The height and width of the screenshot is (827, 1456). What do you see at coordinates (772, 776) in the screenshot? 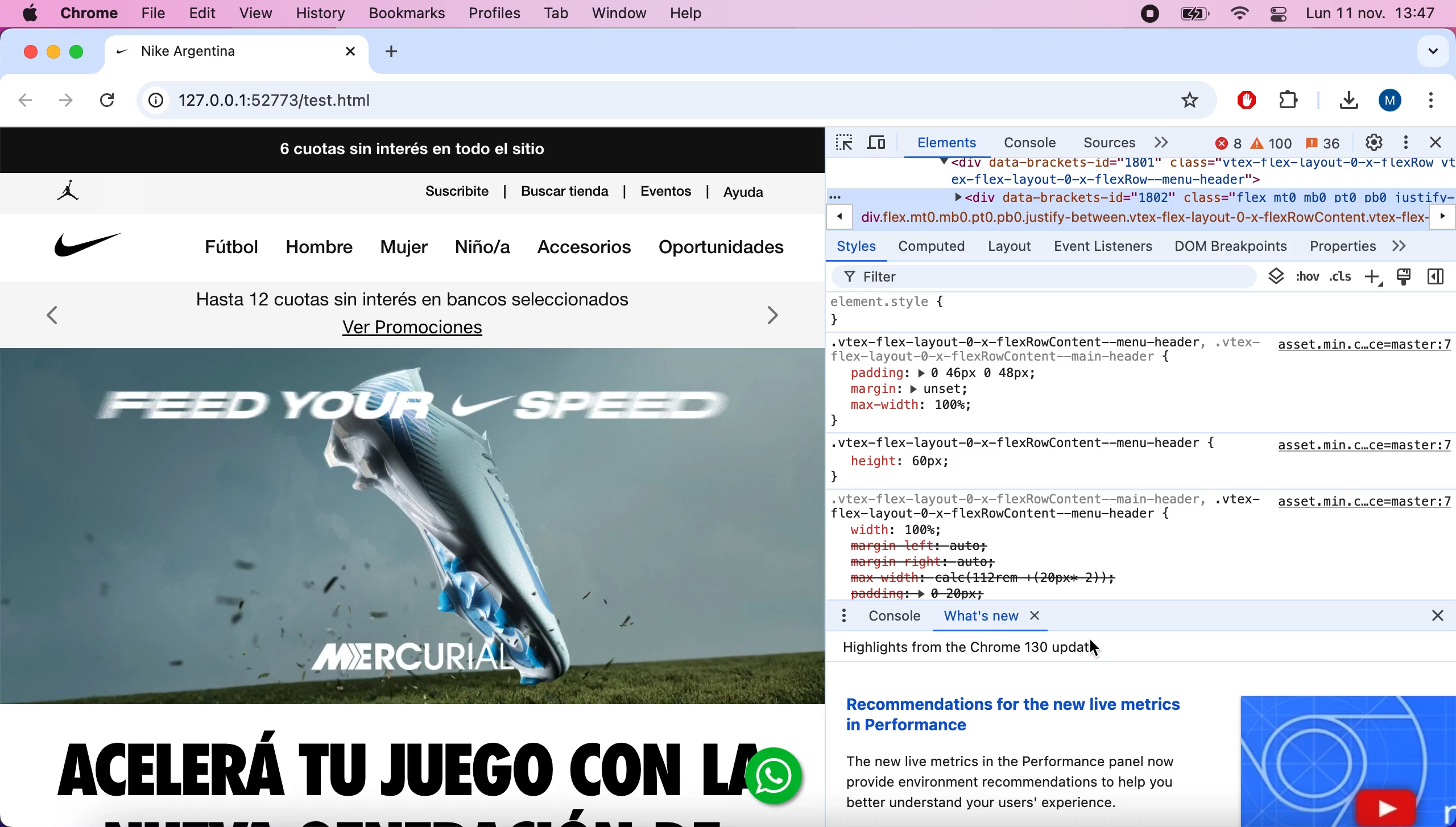
I see `whatsapp icon` at bounding box center [772, 776].